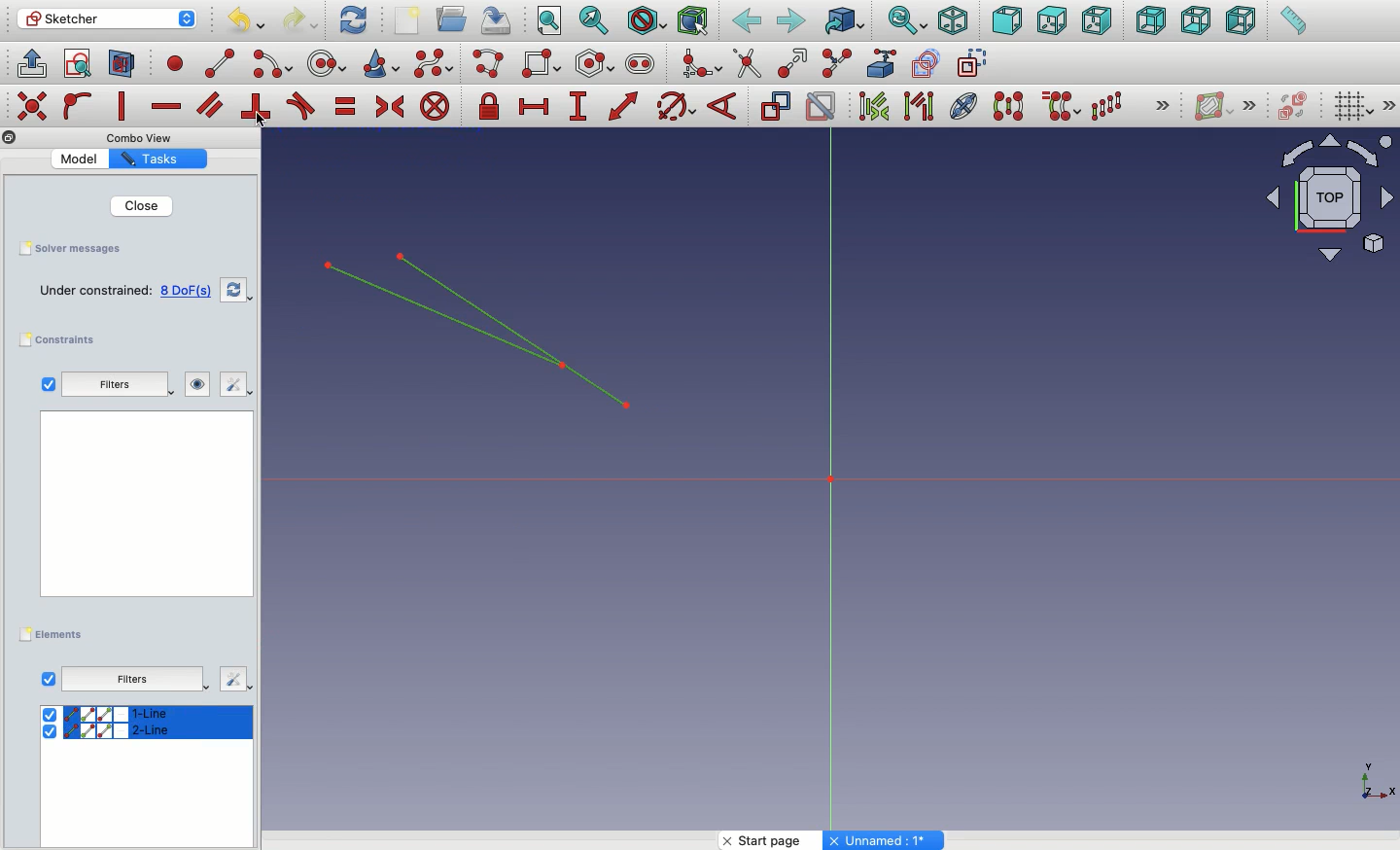  Describe the element at coordinates (301, 106) in the screenshot. I see `Constrain tangent` at that location.